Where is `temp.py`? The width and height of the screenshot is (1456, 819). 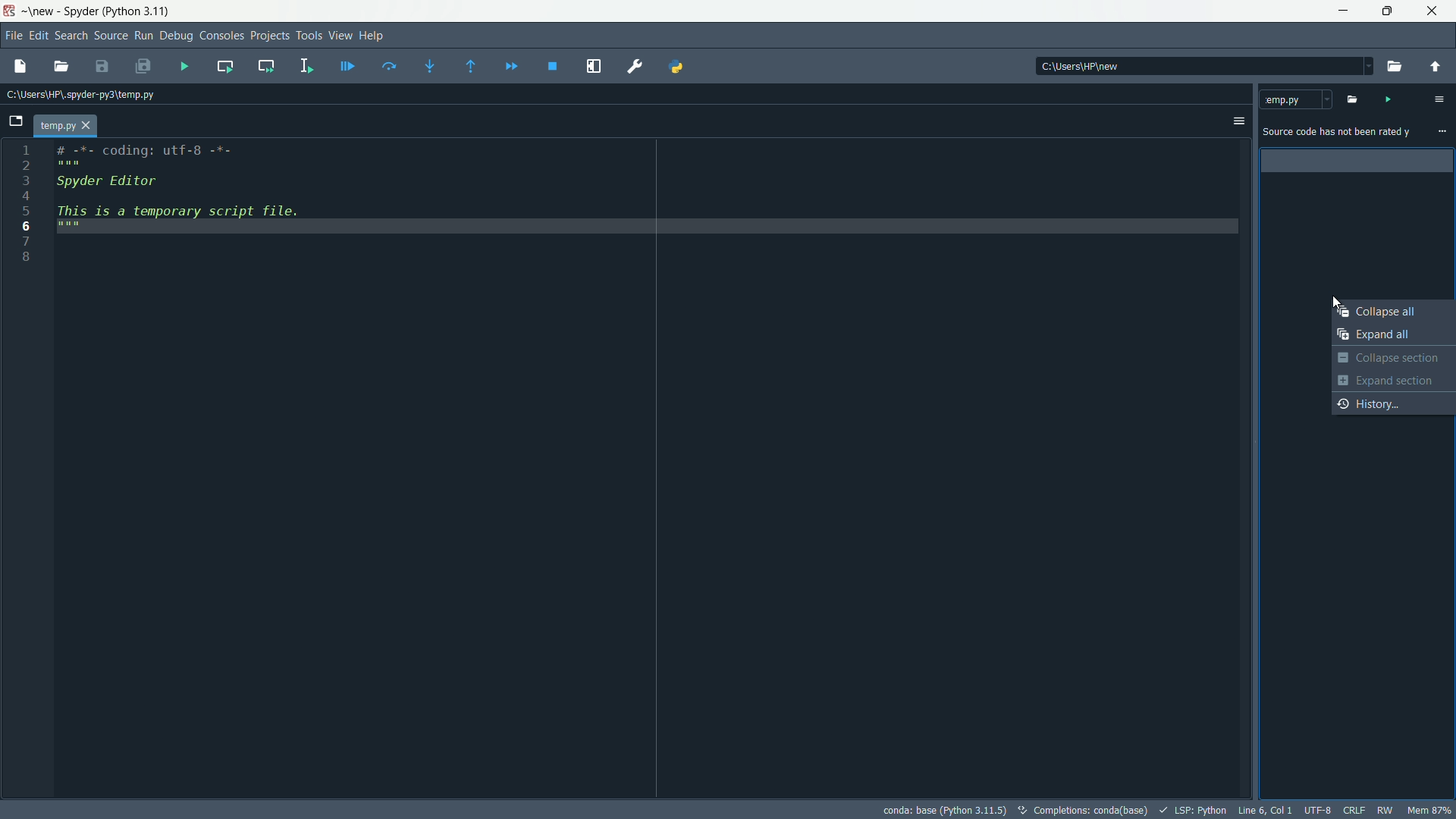
temp.py is located at coordinates (1296, 99).